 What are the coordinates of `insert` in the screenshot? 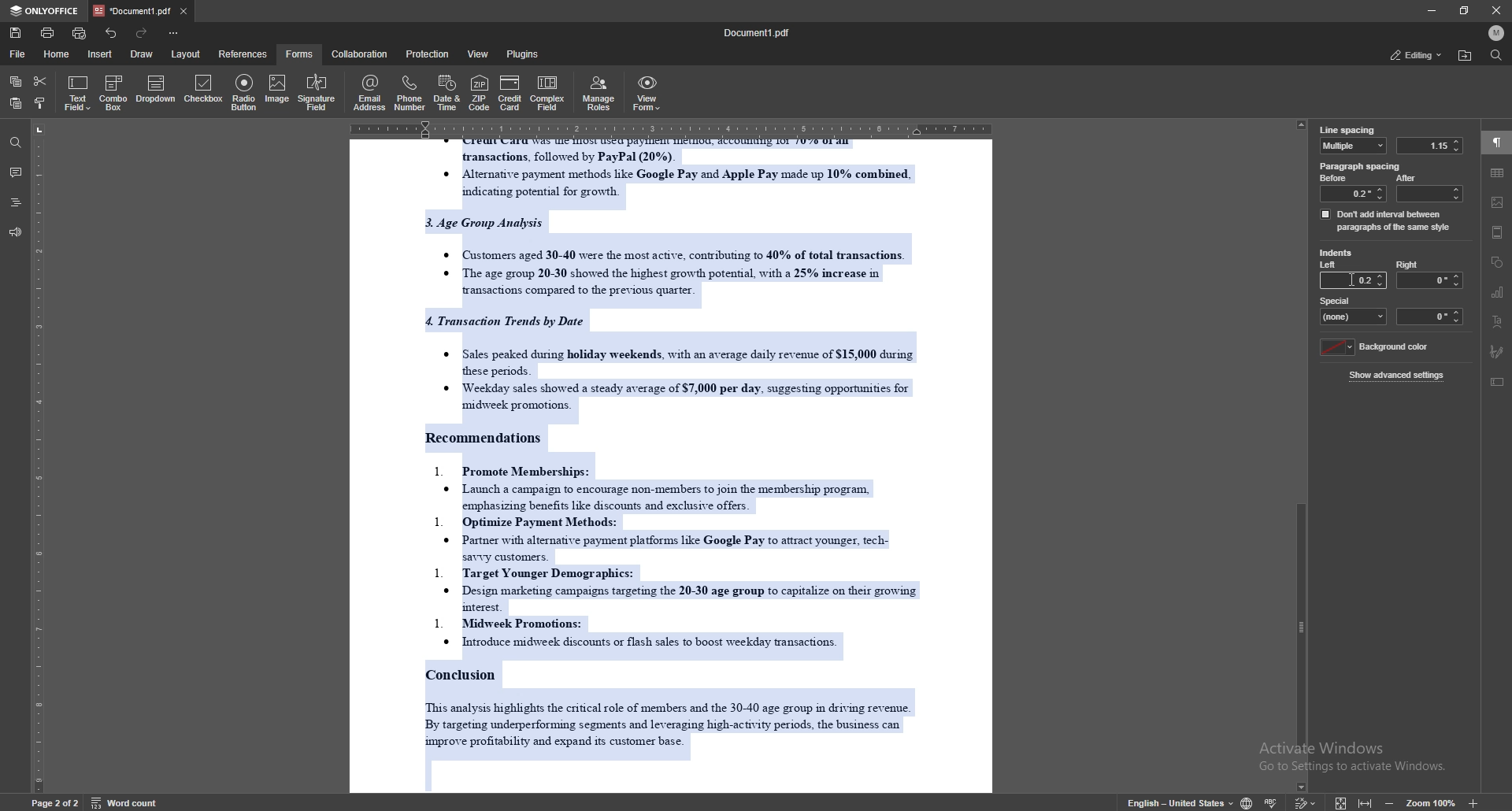 It's located at (99, 54).